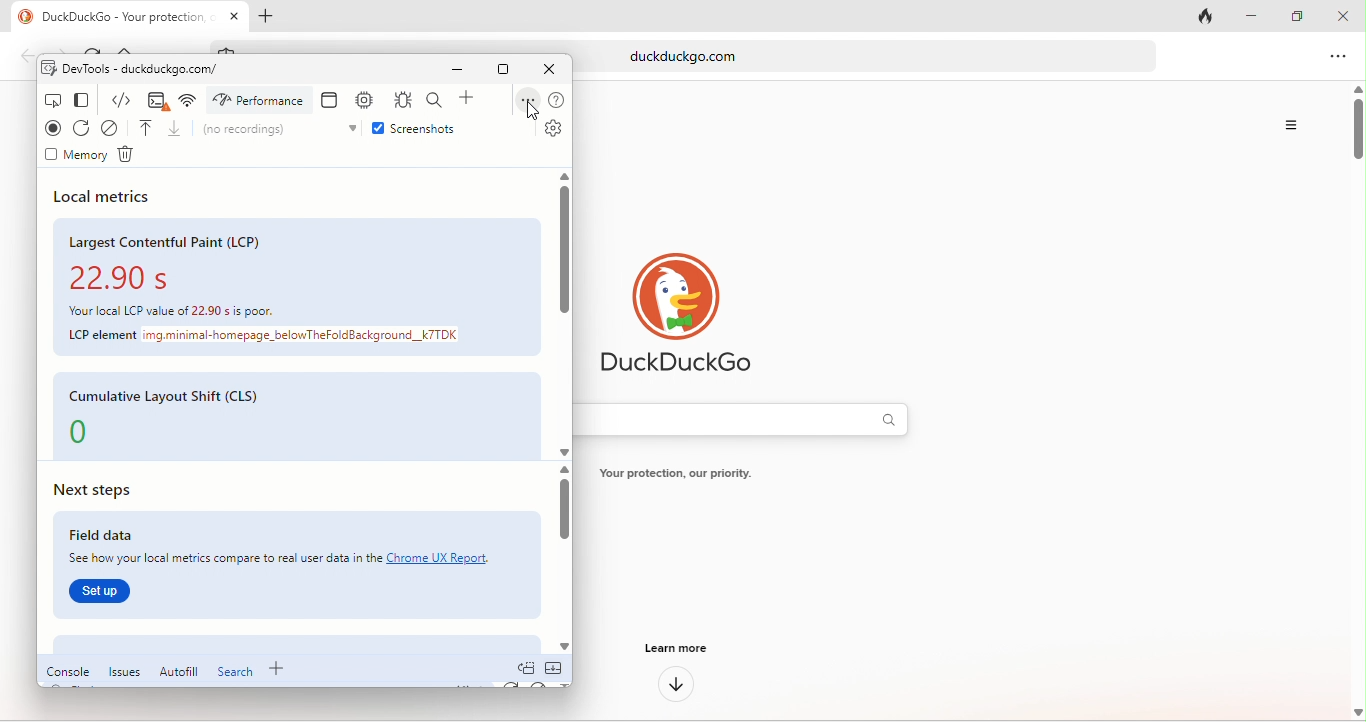 Image resolution: width=1366 pixels, height=722 pixels. I want to click on scroll down, so click(561, 446).